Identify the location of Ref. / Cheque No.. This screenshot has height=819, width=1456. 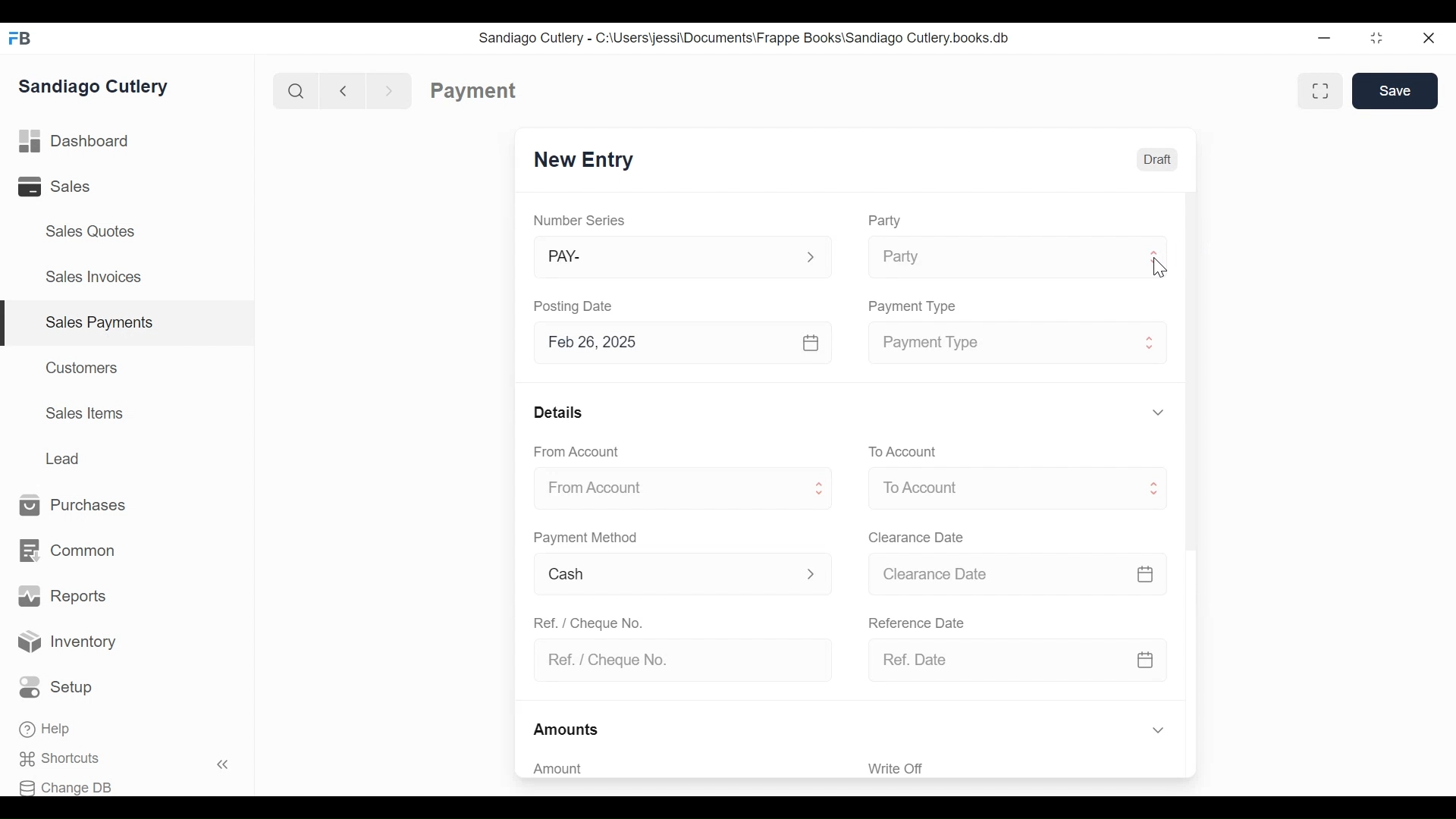
(587, 622).